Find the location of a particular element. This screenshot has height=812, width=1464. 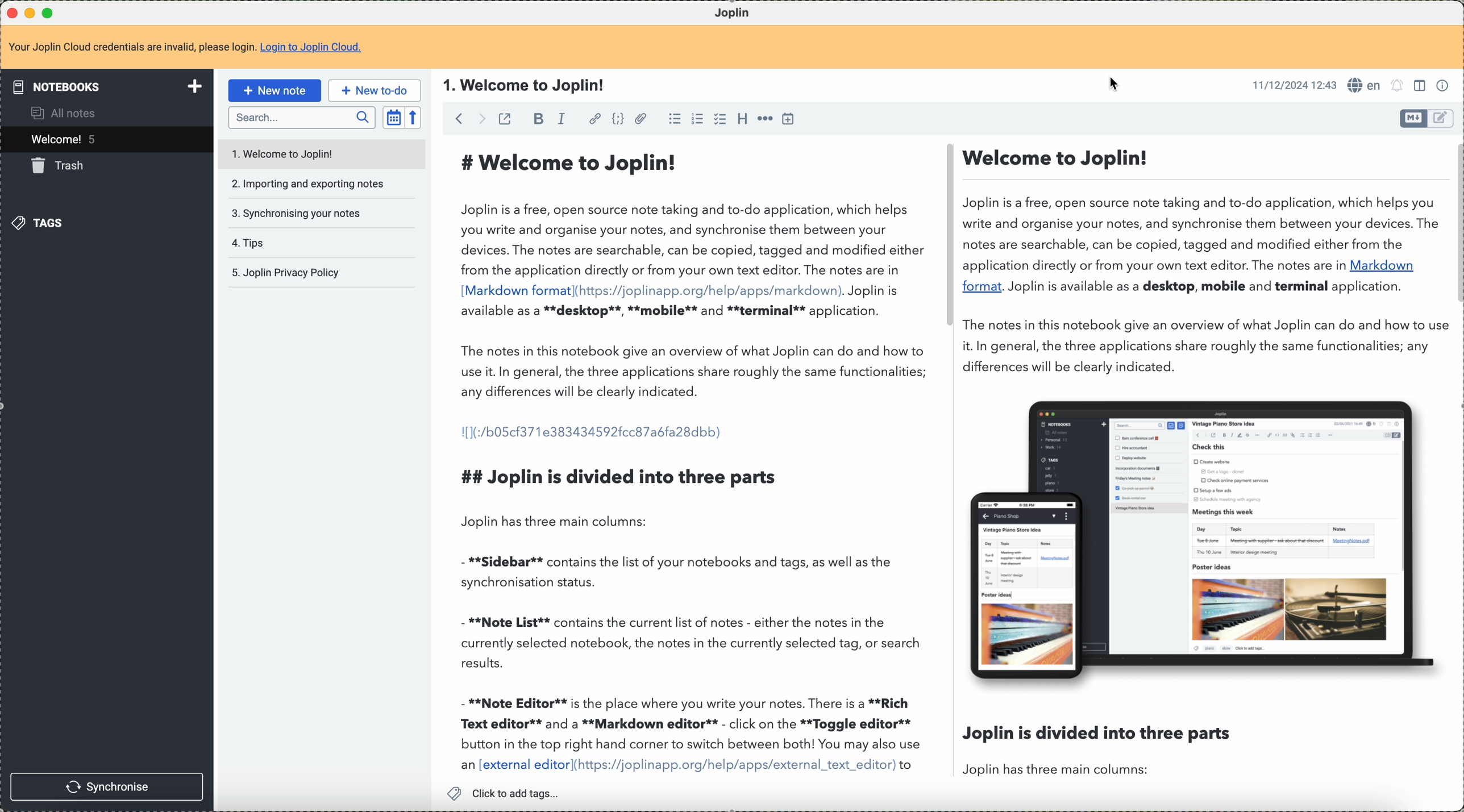

new to-do is located at coordinates (375, 90).